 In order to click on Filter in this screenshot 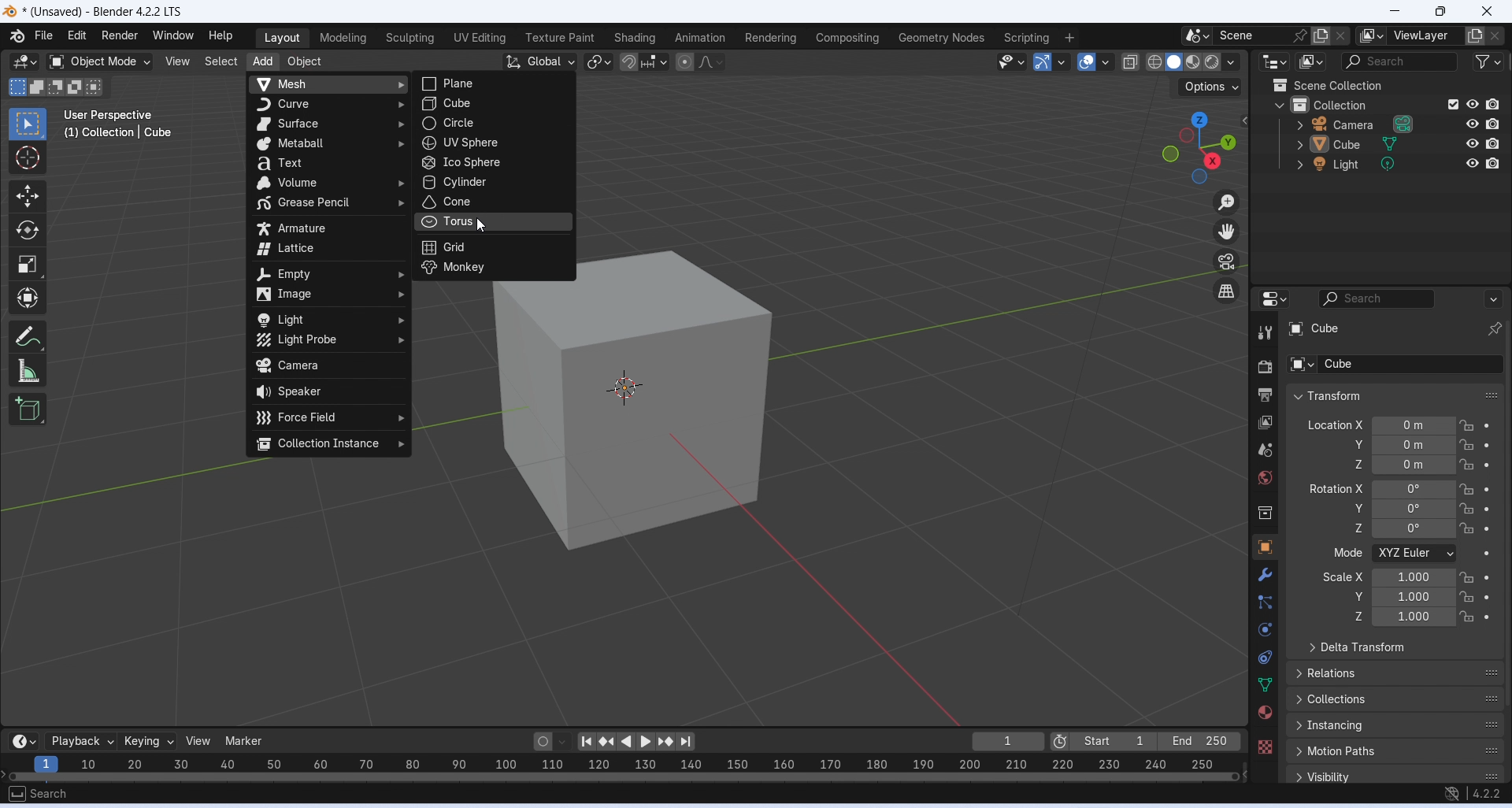, I will do `click(1484, 61)`.